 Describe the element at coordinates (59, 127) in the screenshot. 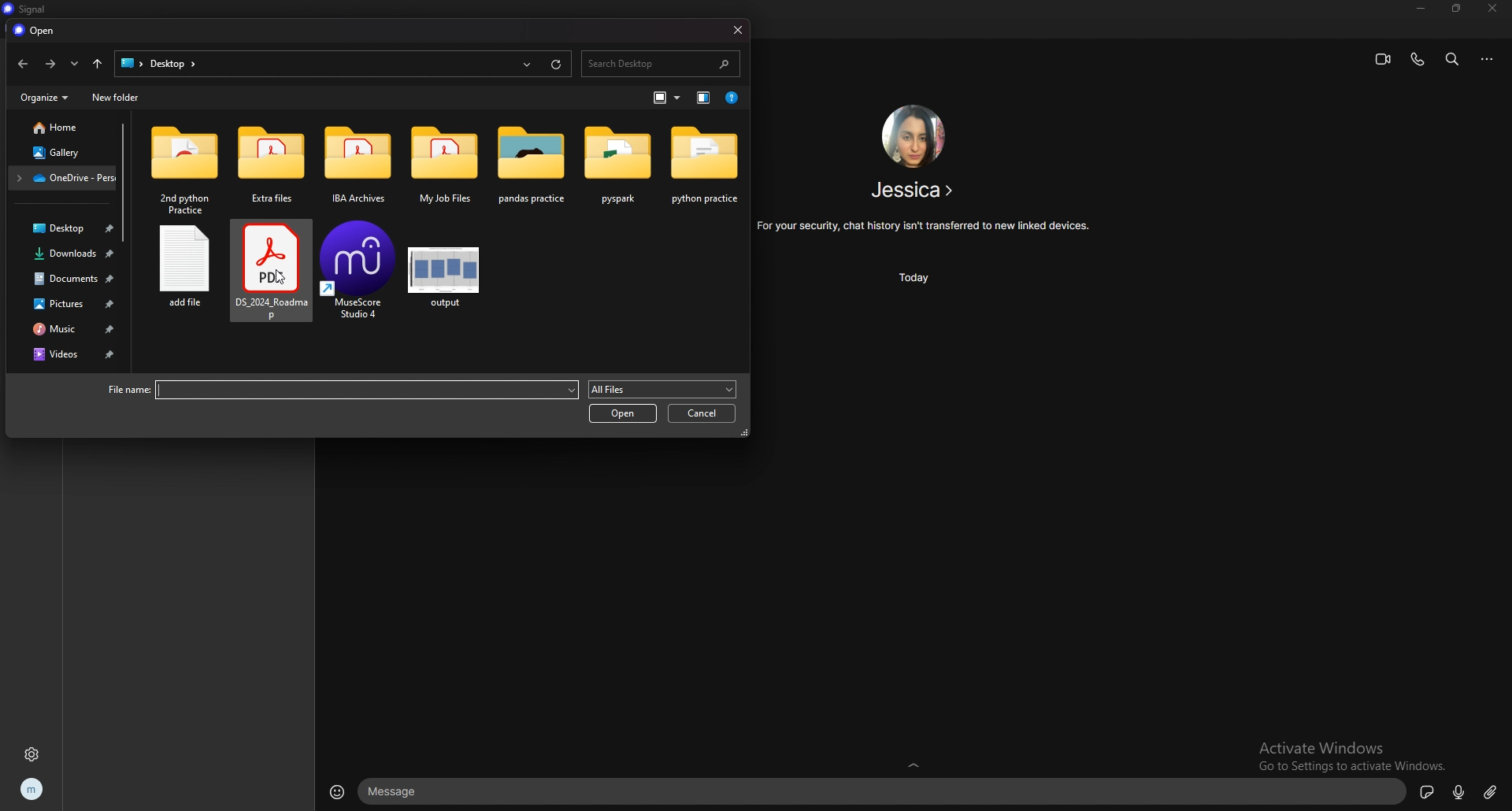

I see `home` at that location.